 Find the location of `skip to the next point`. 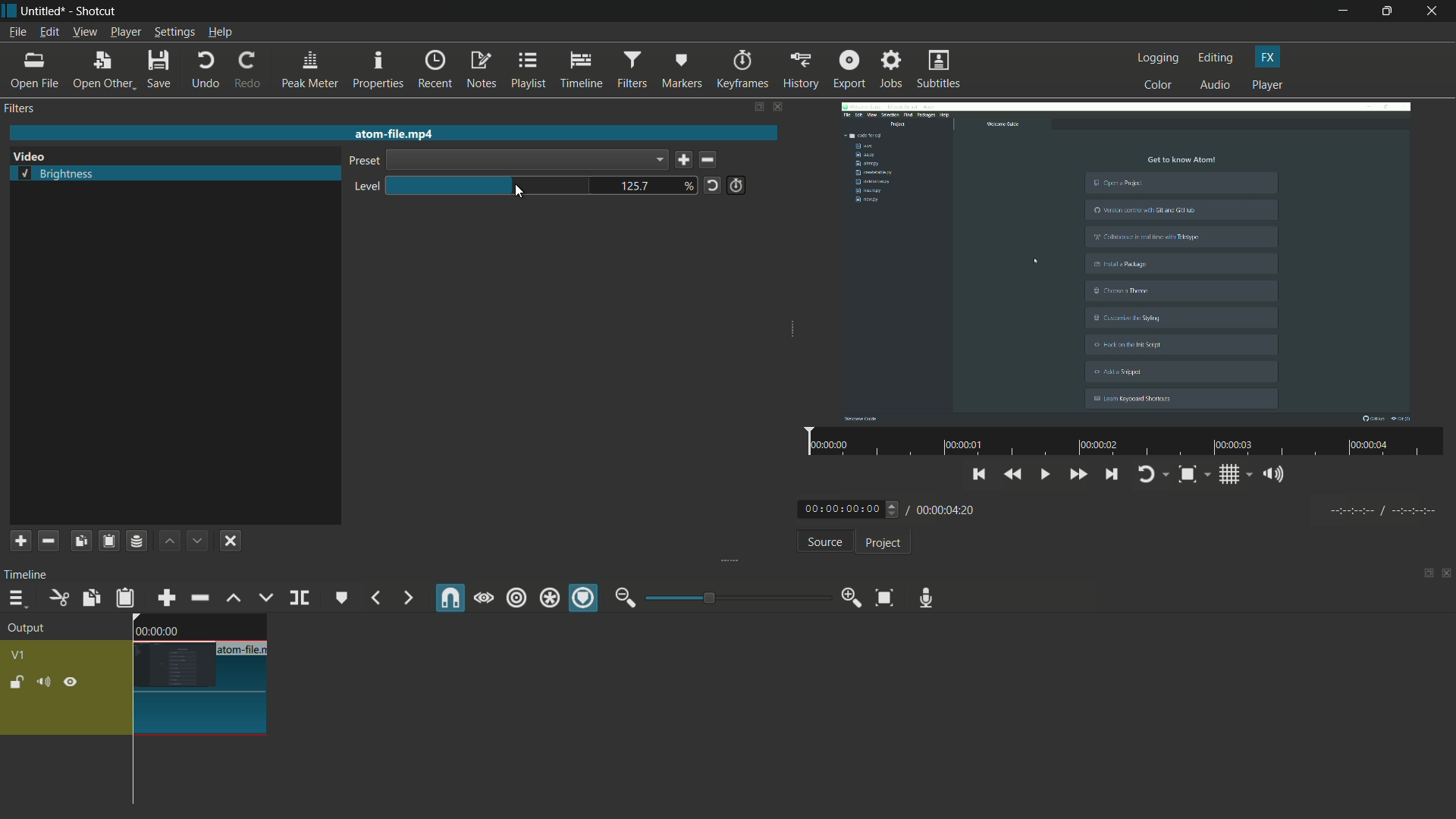

skip to the next point is located at coordinates (1112, 476).